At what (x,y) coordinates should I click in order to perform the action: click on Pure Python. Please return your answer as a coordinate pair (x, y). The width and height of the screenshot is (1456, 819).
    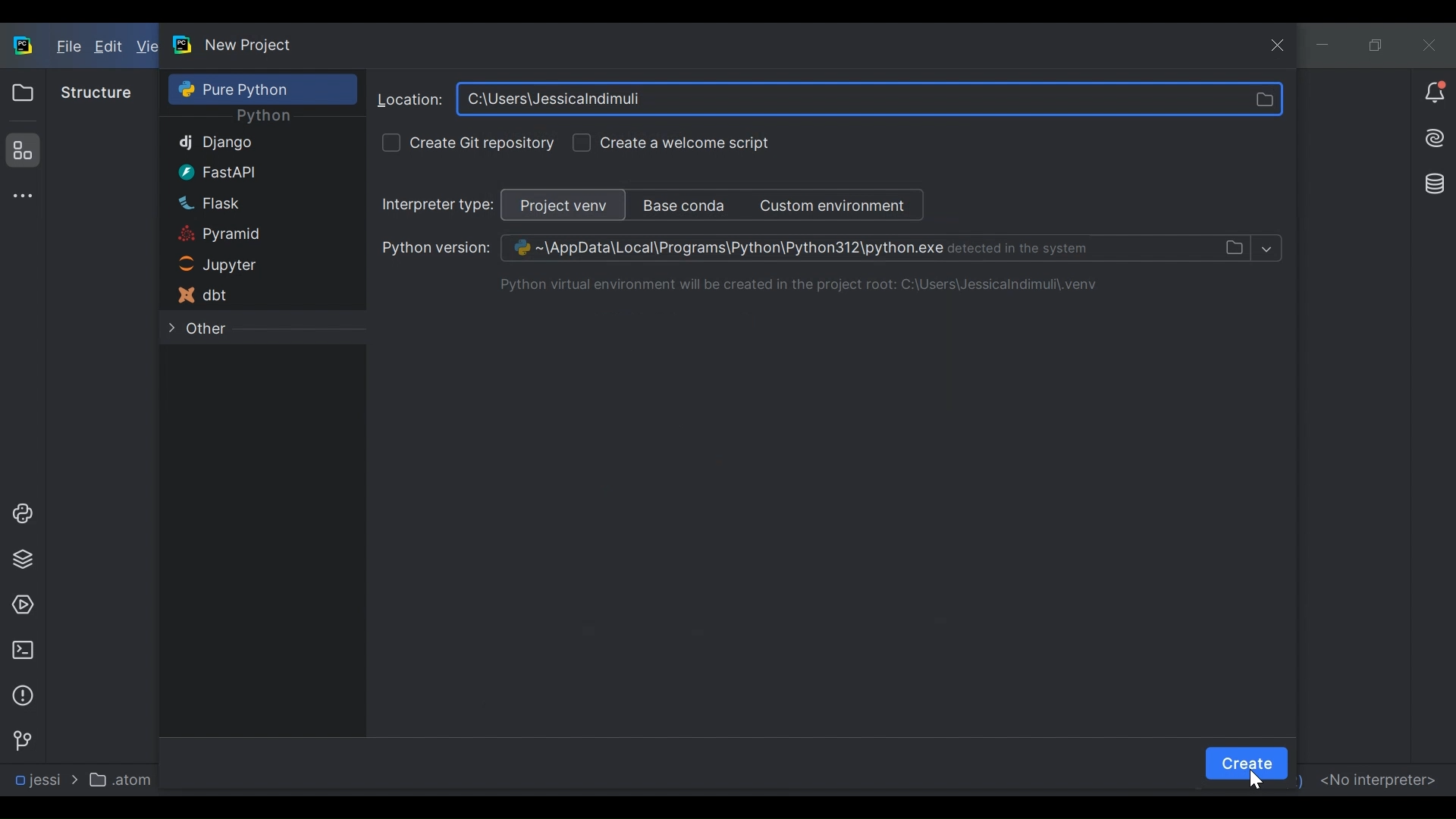
    Looking at the image, I should click on (242, 89).